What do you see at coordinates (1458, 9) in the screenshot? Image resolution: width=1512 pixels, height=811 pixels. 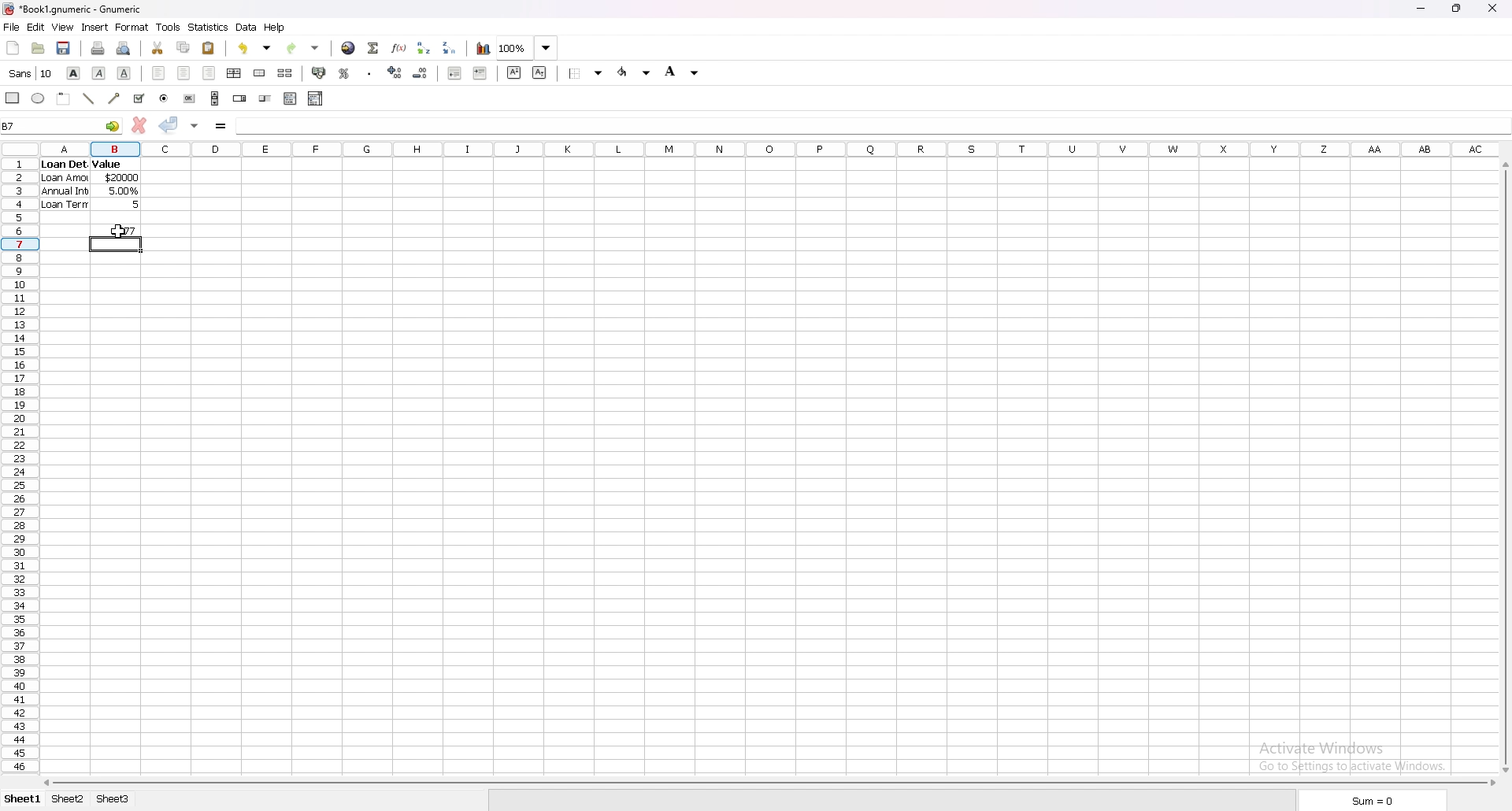 I see `resize` at bounding box center [1458, 9].